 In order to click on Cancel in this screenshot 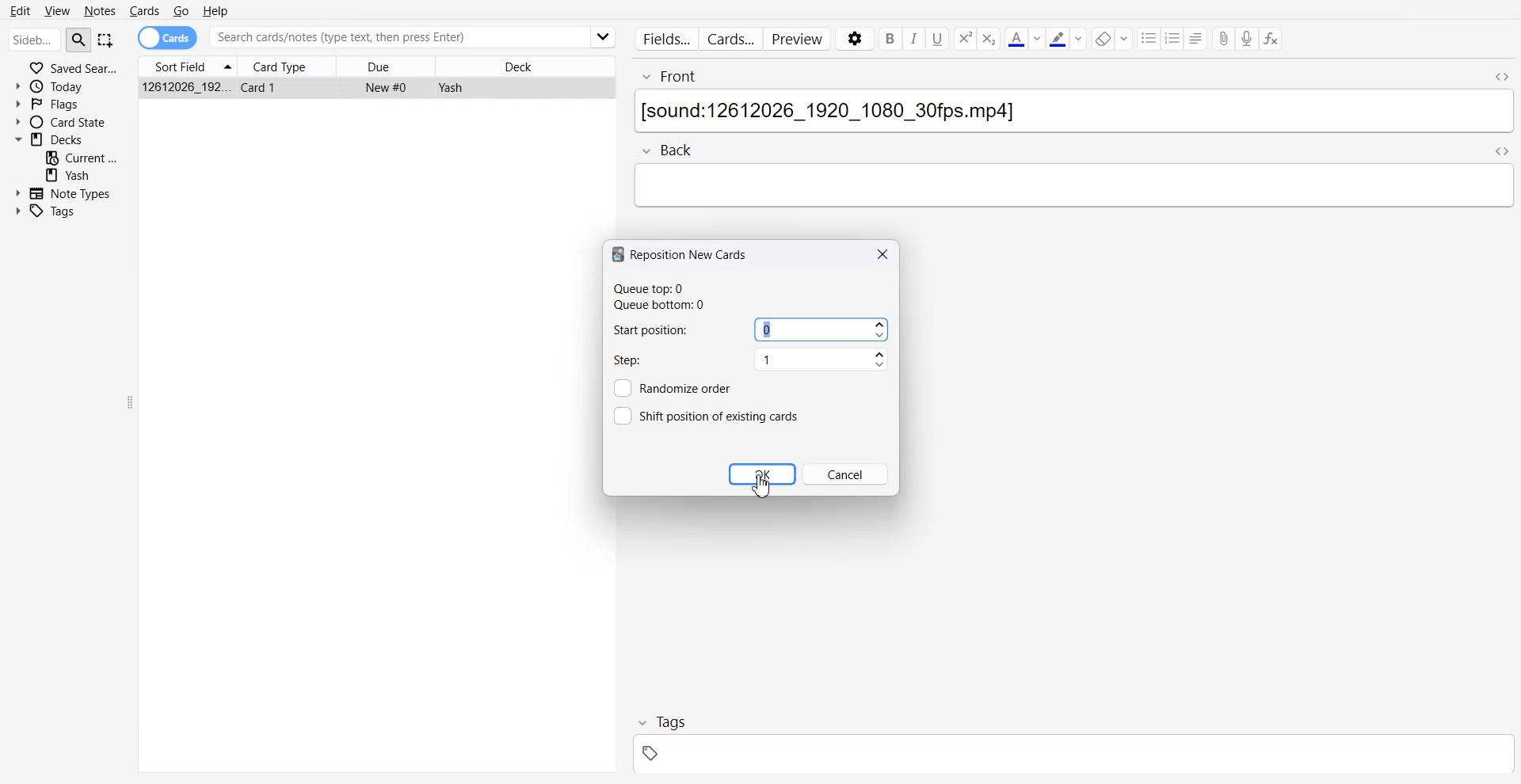, I will do `click(849, 474)`.